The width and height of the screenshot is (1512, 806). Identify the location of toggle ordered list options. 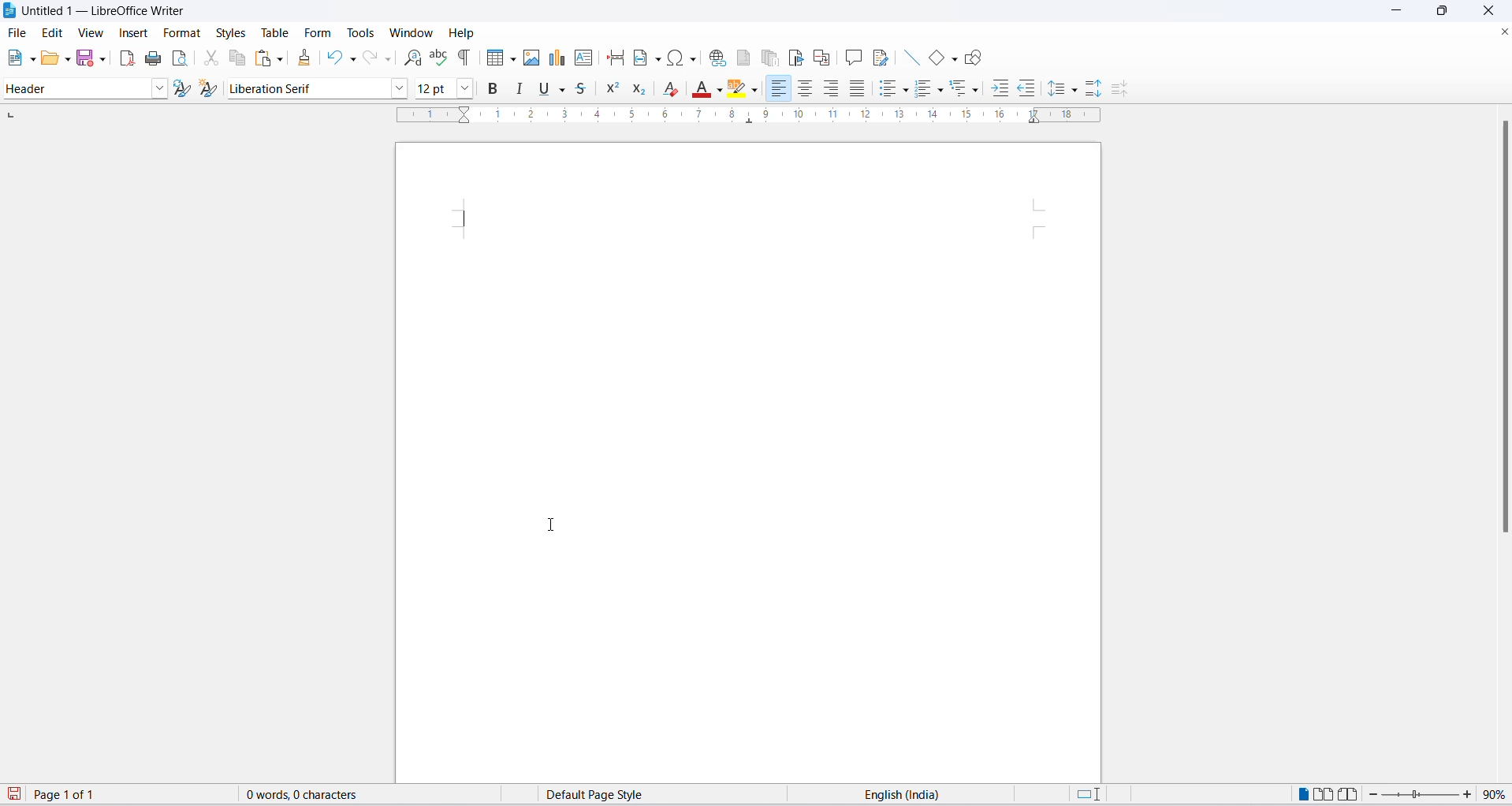
(923, 90).